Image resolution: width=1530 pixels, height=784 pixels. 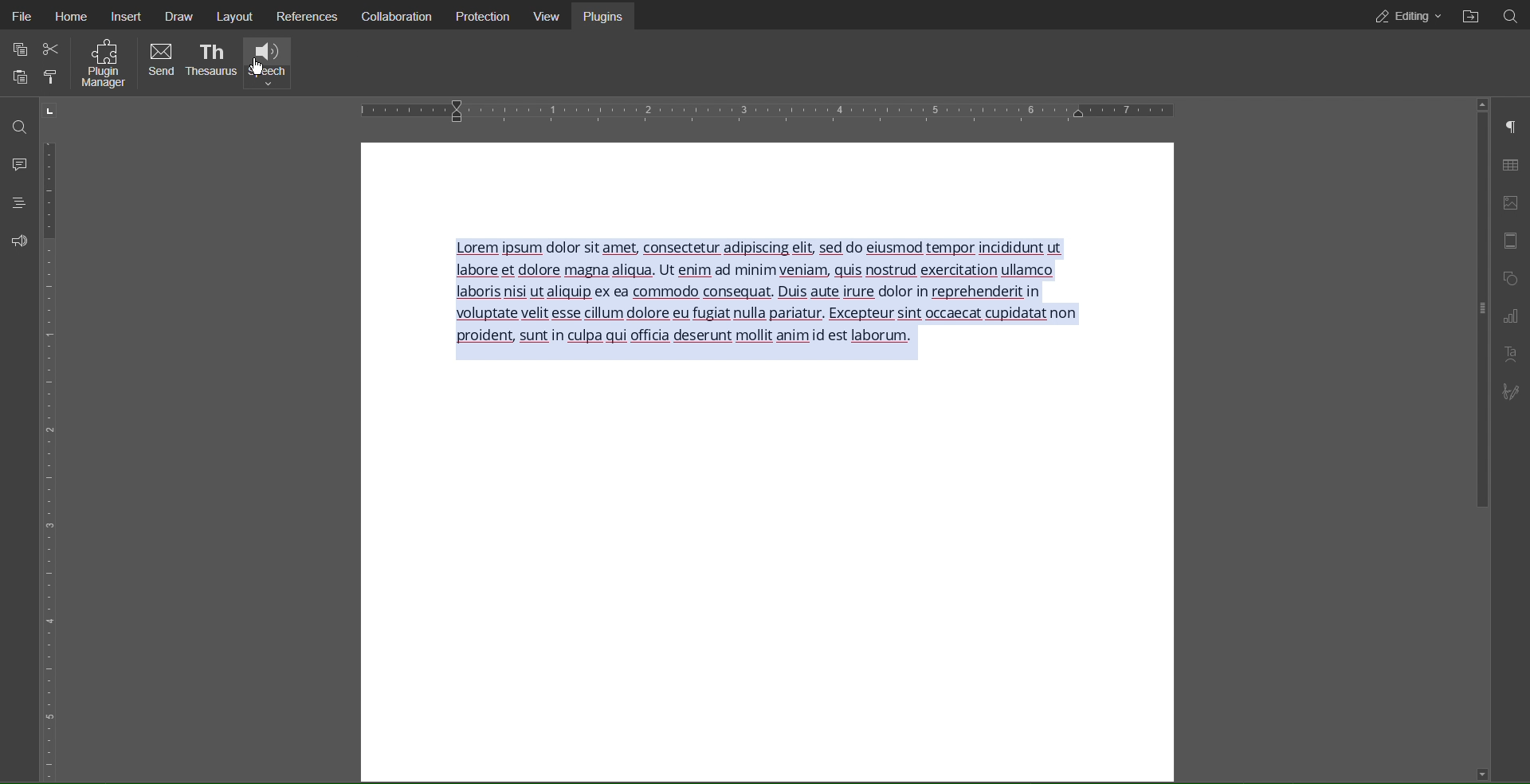 I want to click on Plugin Manager, so click(x=103, y=66).